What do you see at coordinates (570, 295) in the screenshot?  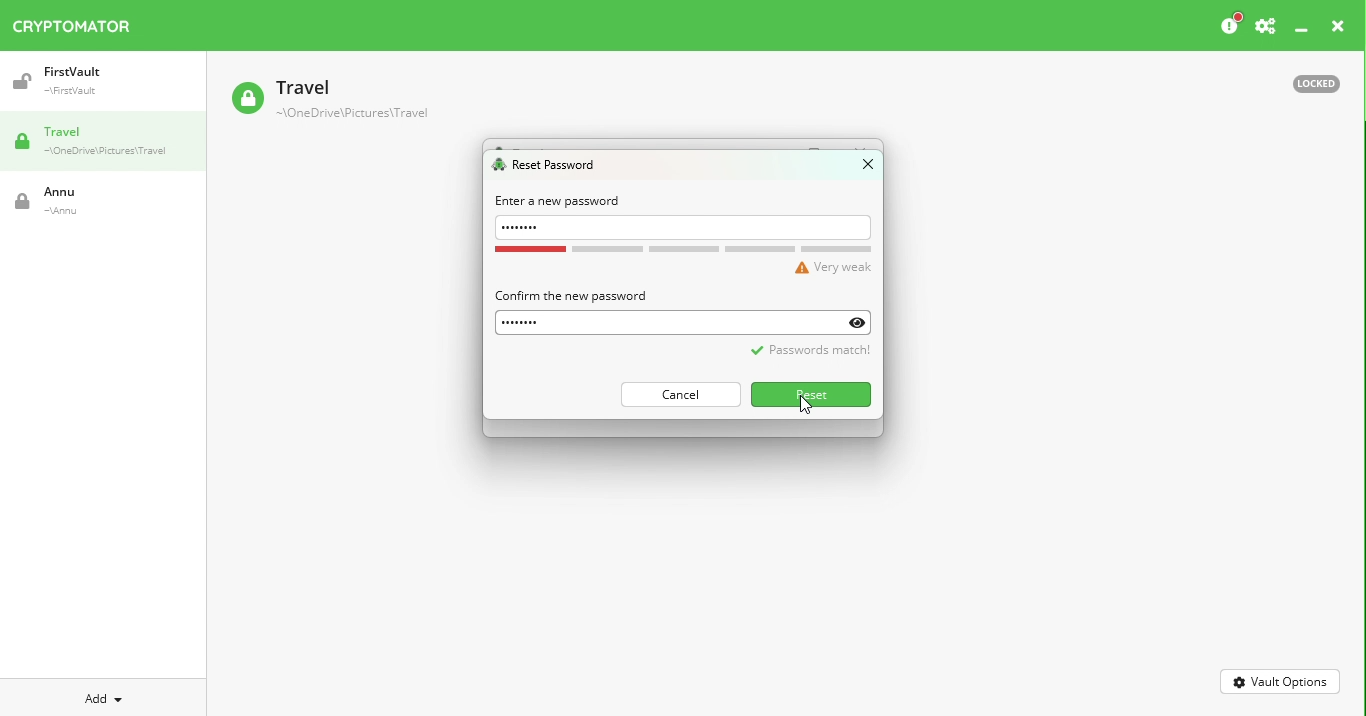 I see `Confirm the new password` at bounding box center [570, 295].